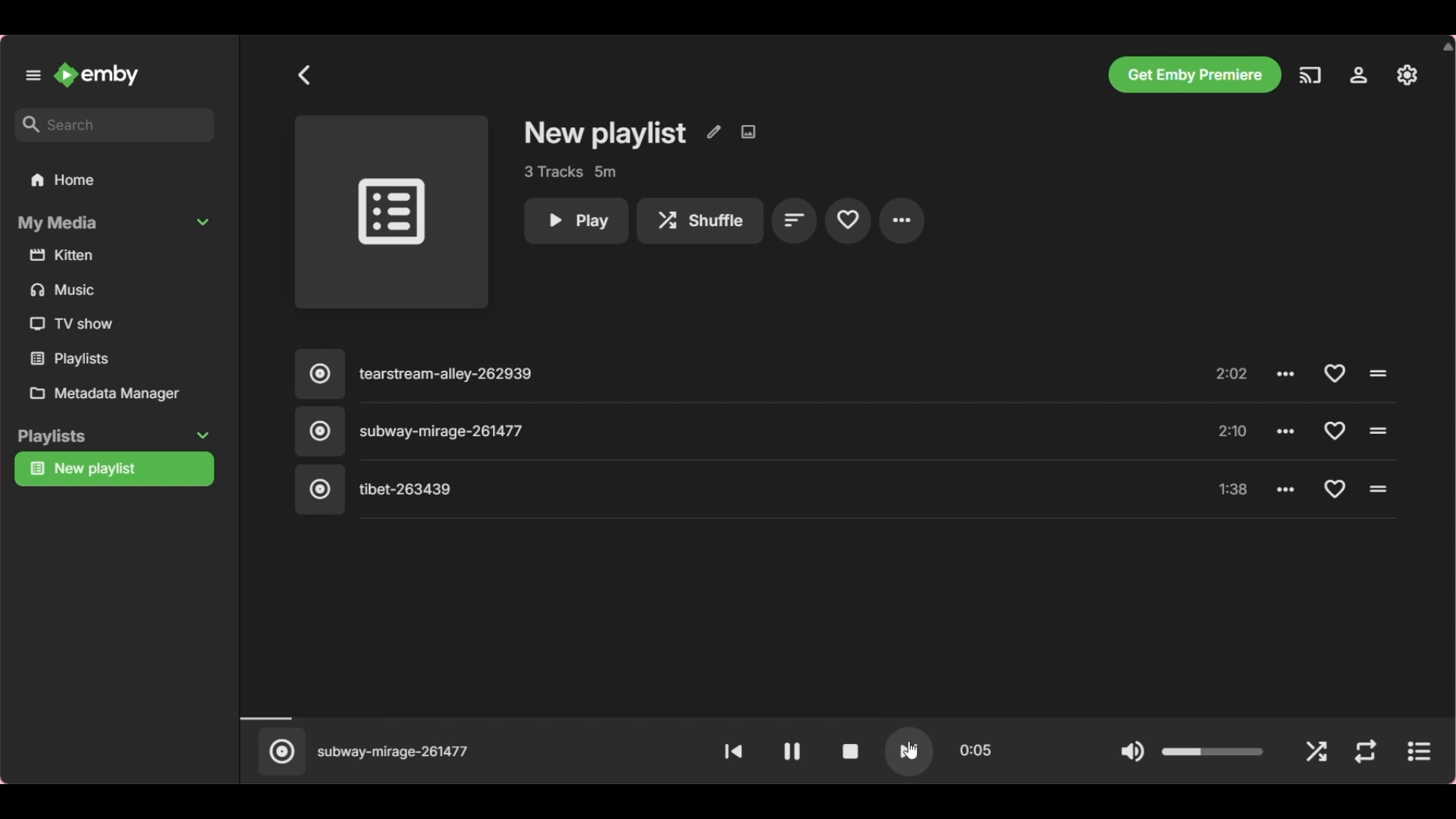  Describe the element at coordinates (1134, 752) in the screenshot. I see `Mute` at that location.